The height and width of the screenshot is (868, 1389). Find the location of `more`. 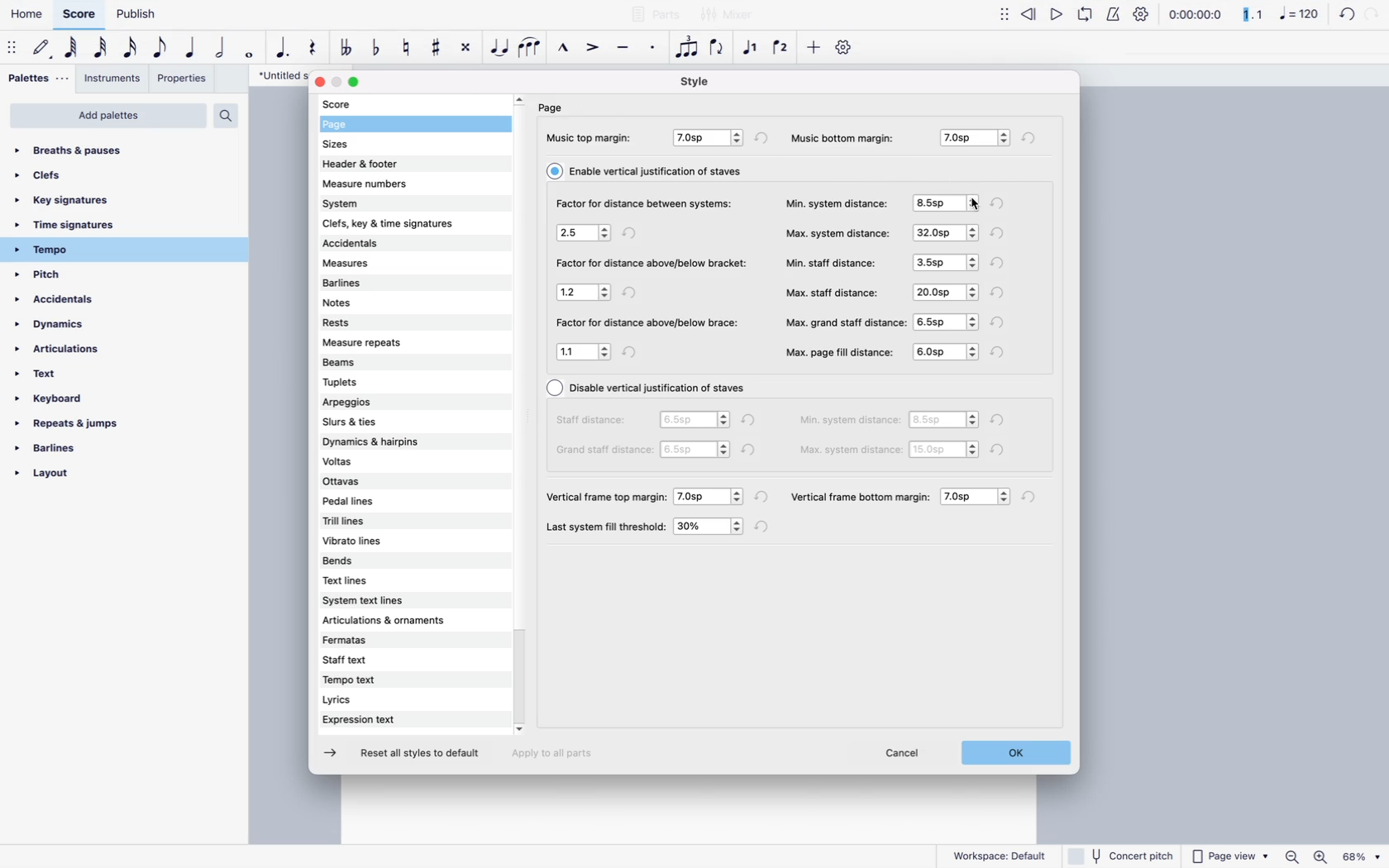

more is located at coordinates (813, 50).